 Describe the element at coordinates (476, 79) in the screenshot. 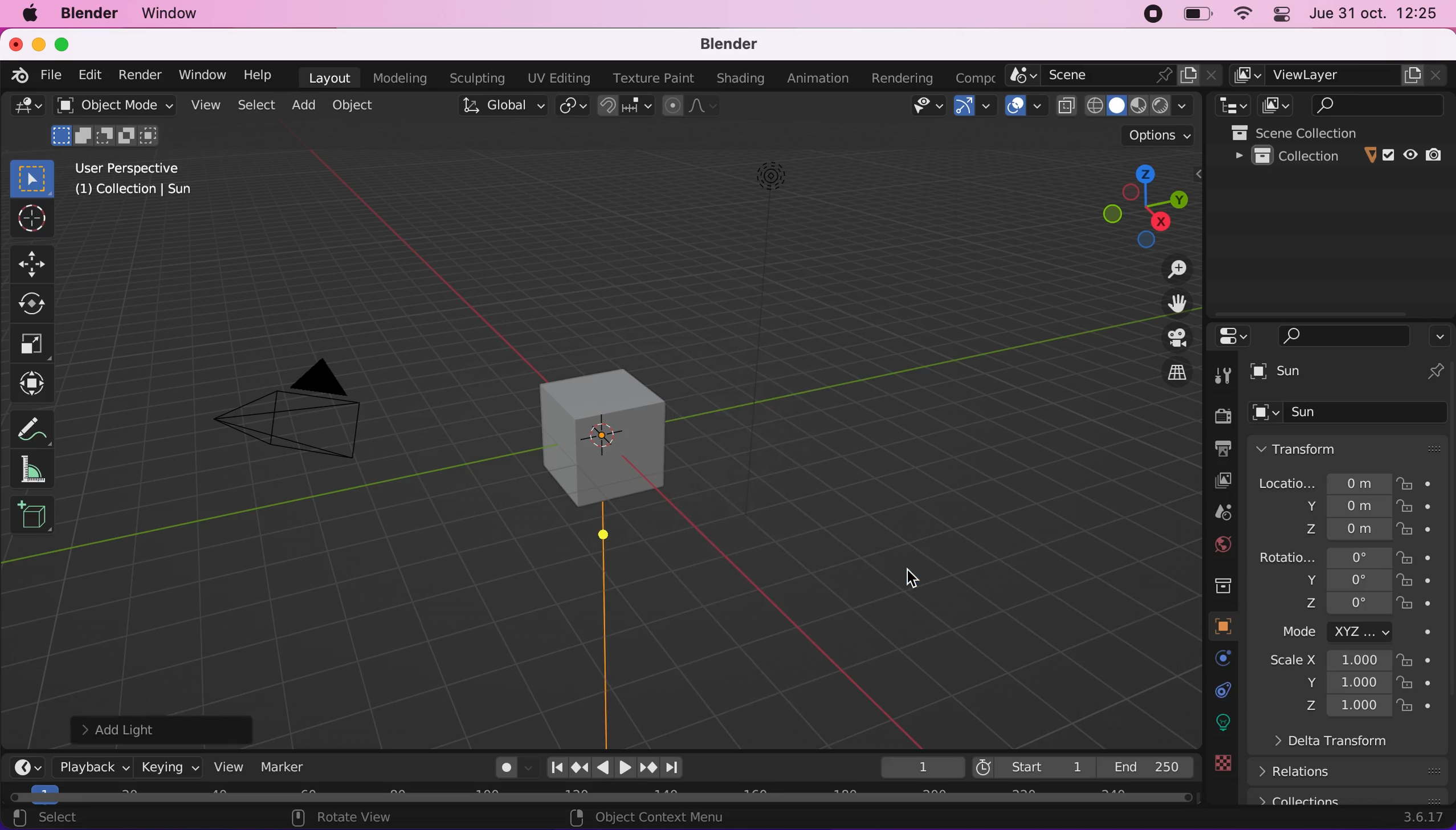

I see `sculpting` at that location.